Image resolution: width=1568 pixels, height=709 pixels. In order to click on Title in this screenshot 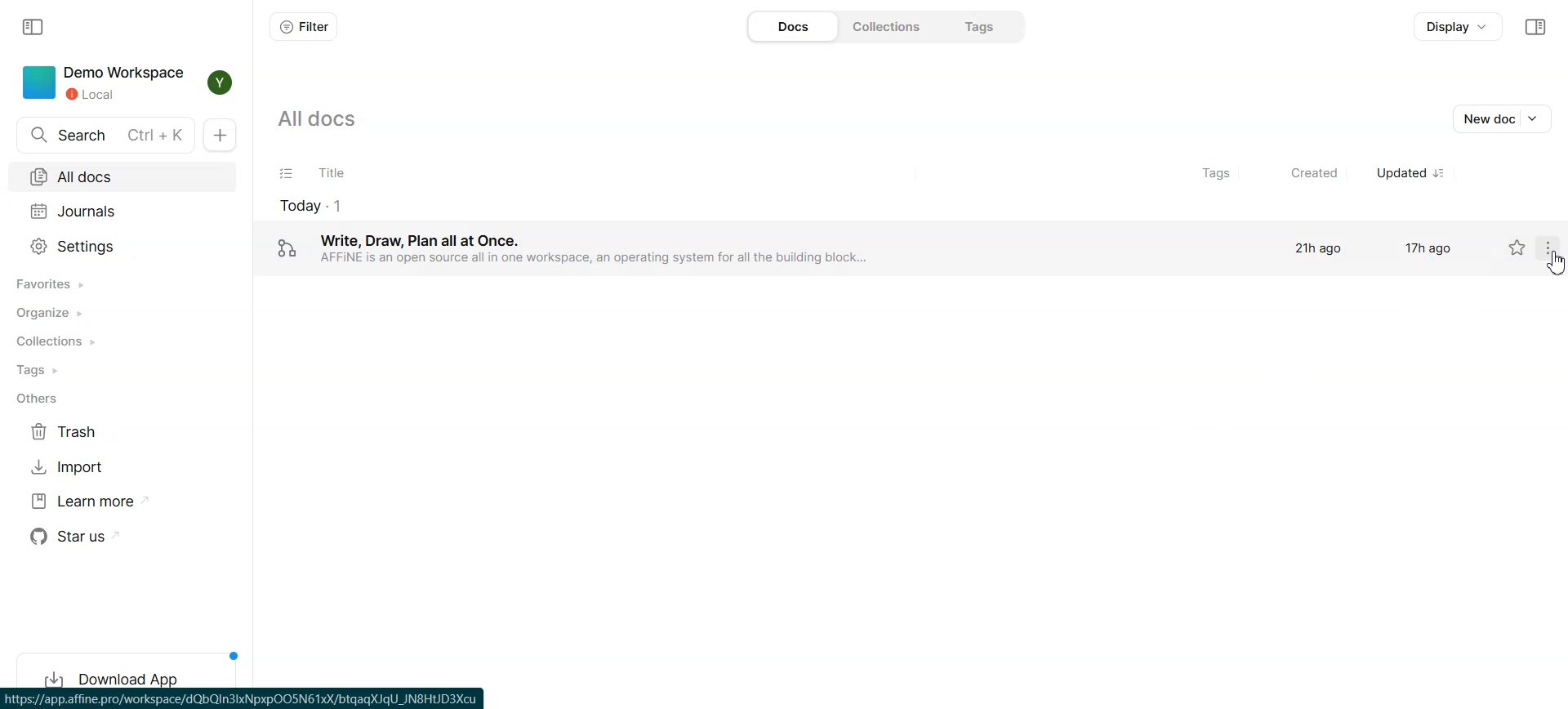, I will do `click(334, 173)`.